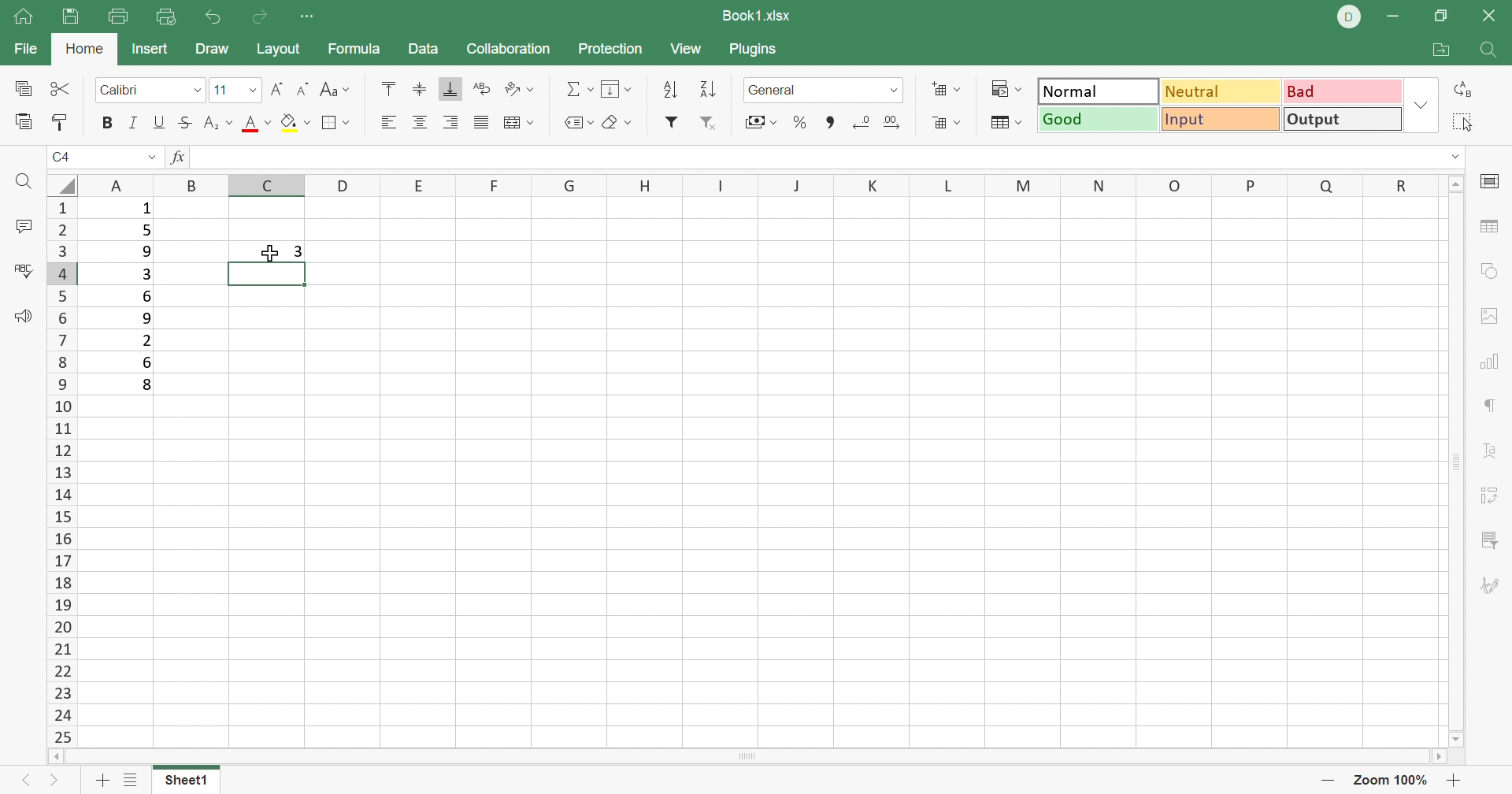 The height and width of the screenshot is (794, 1512). What do you see at coordinates (388, 122) in the screenshot?
I see `Align left` at bounding box center [388, 122].